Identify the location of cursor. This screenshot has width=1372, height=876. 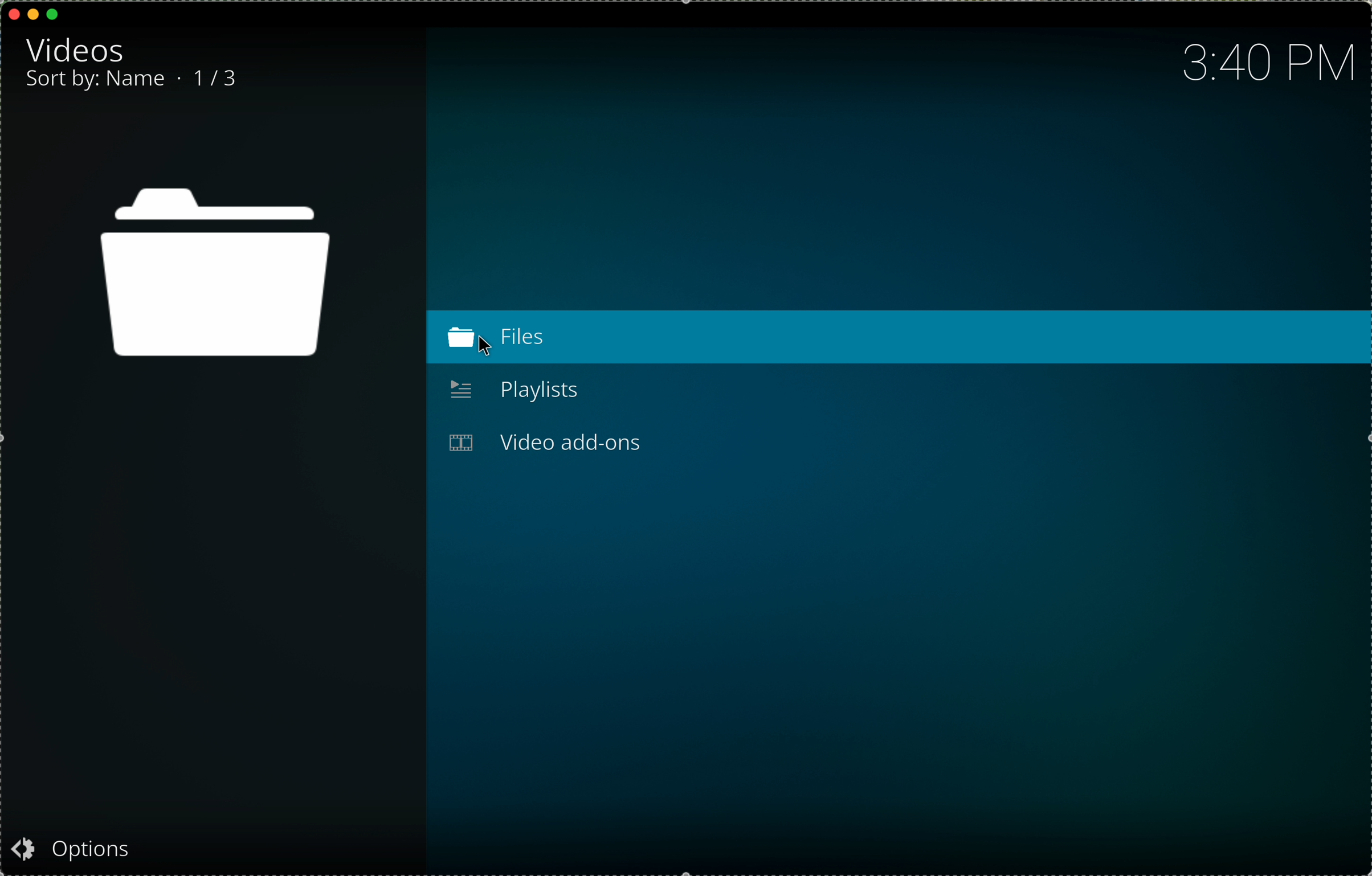
(492, 347).